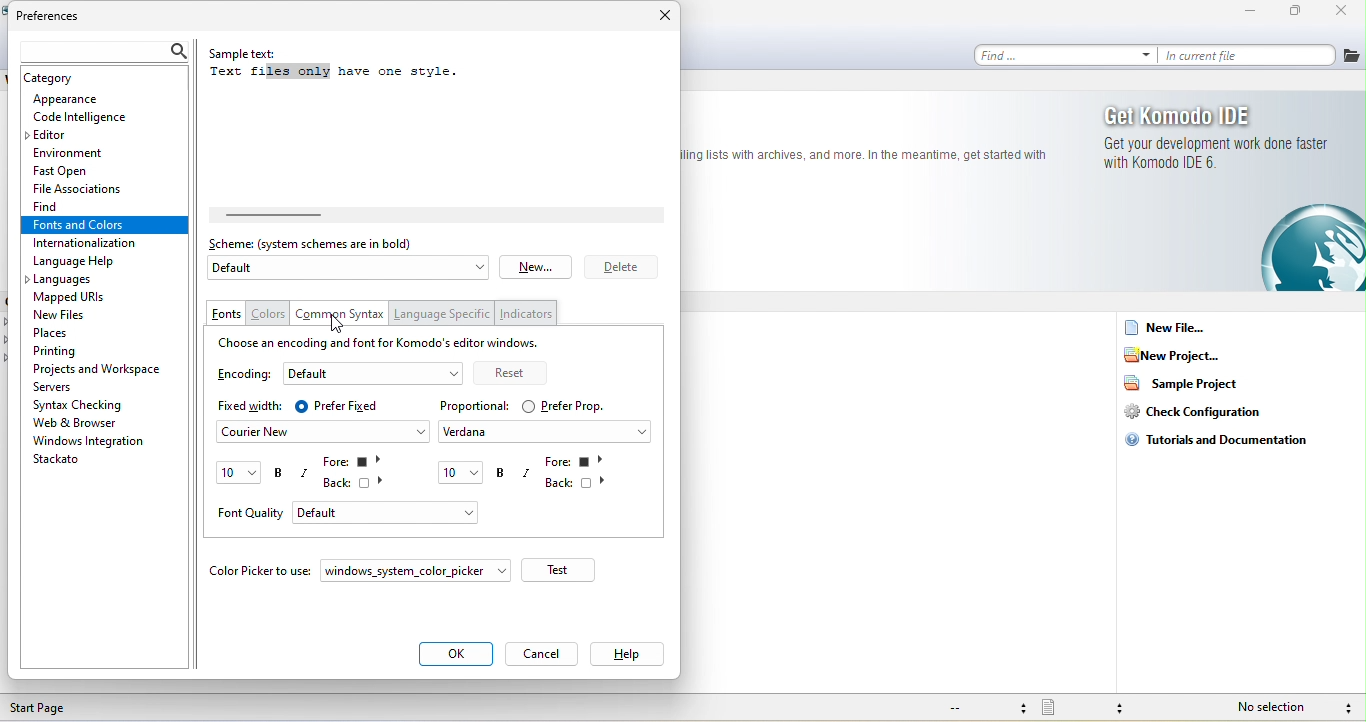 The height and width of the screenshot is (722, 1366). Describe the element at coordinates (1178, 326) in the screenshot. I see `new file` at that location.